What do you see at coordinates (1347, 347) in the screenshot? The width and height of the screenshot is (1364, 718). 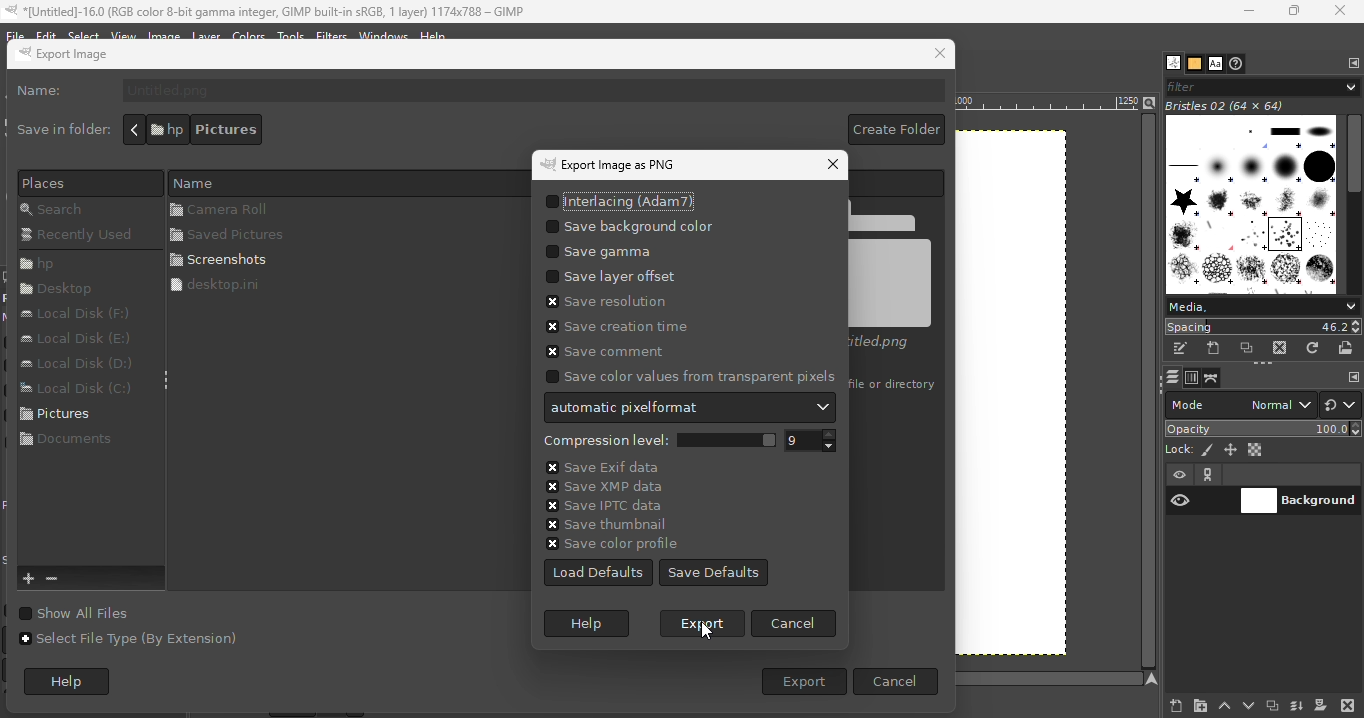 I see `Open brush as image` at bounding box center [1347, 347].